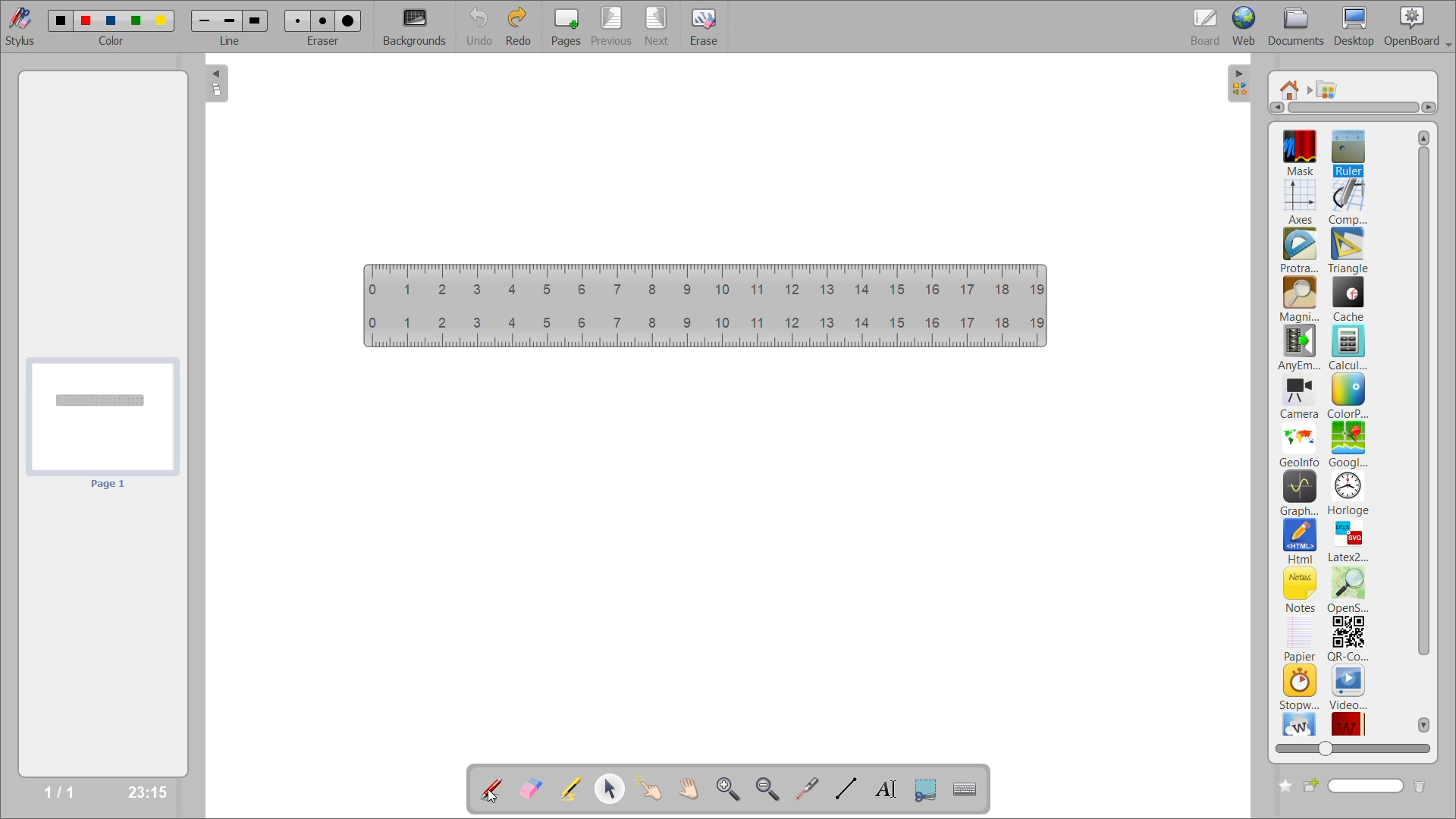 The image size is (1456, 819). I want to click on axes, so click(1303, 199).